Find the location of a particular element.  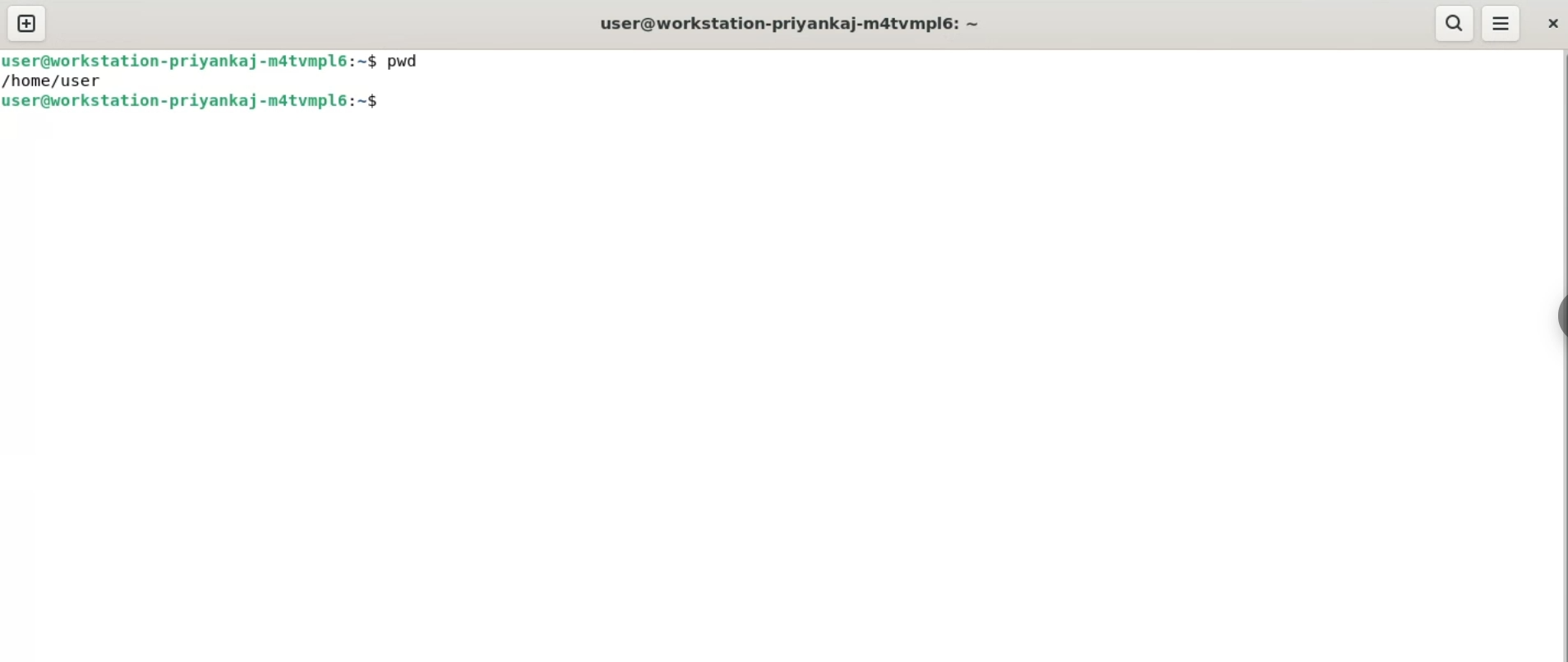

new tab is located at coordinates (25, 24).